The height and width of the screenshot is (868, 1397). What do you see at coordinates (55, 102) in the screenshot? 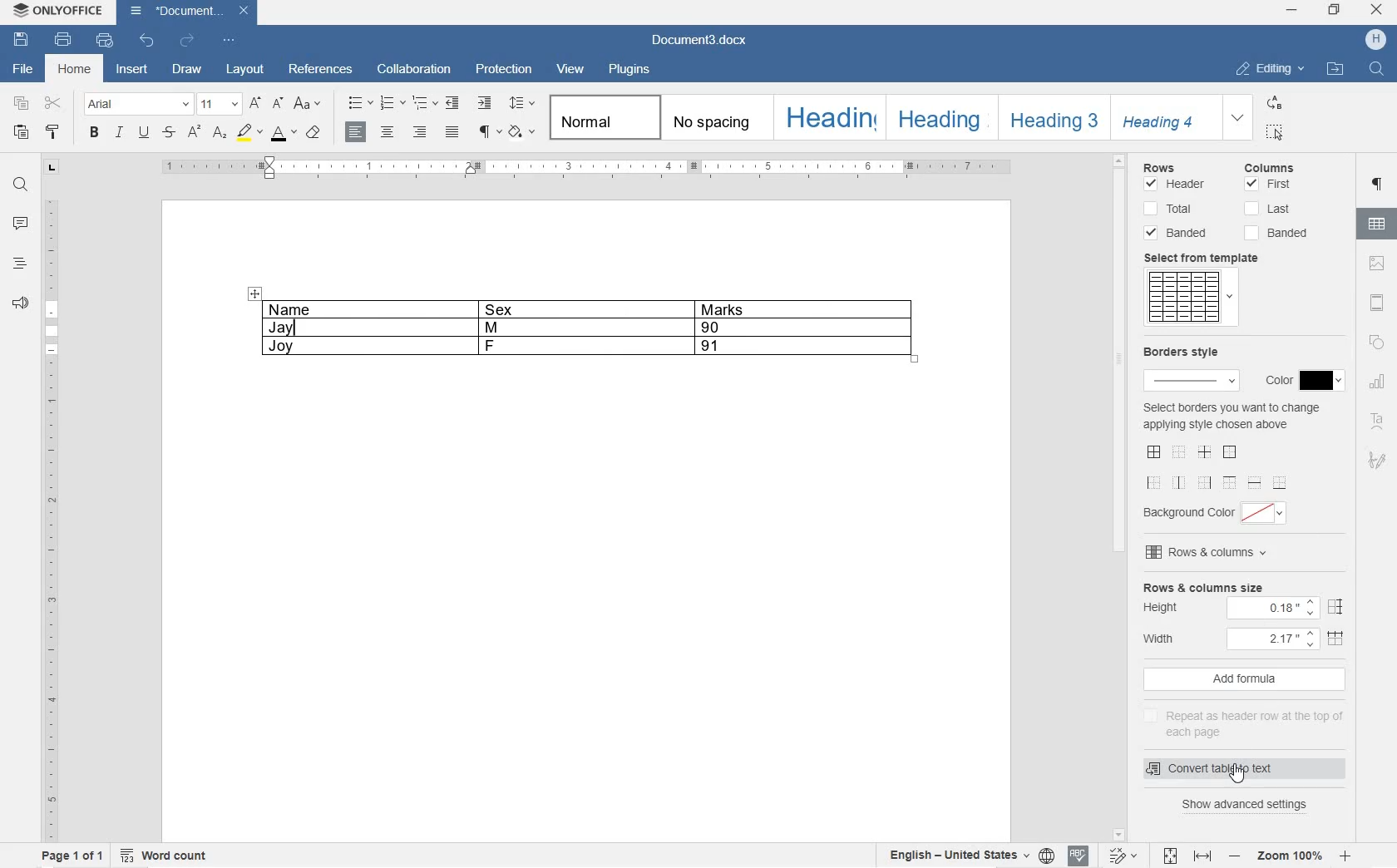
I see `CUT` at bounding box center [55, 102].